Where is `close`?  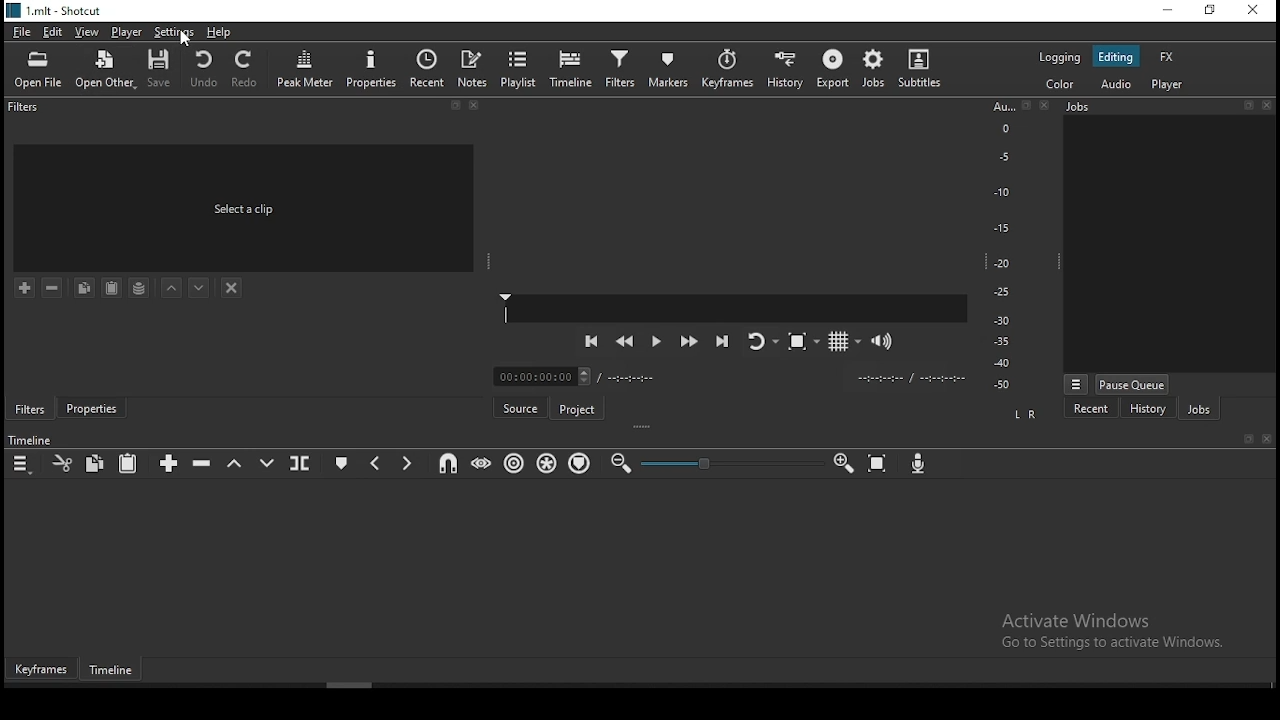
close is located at coordinates (1268, 440).